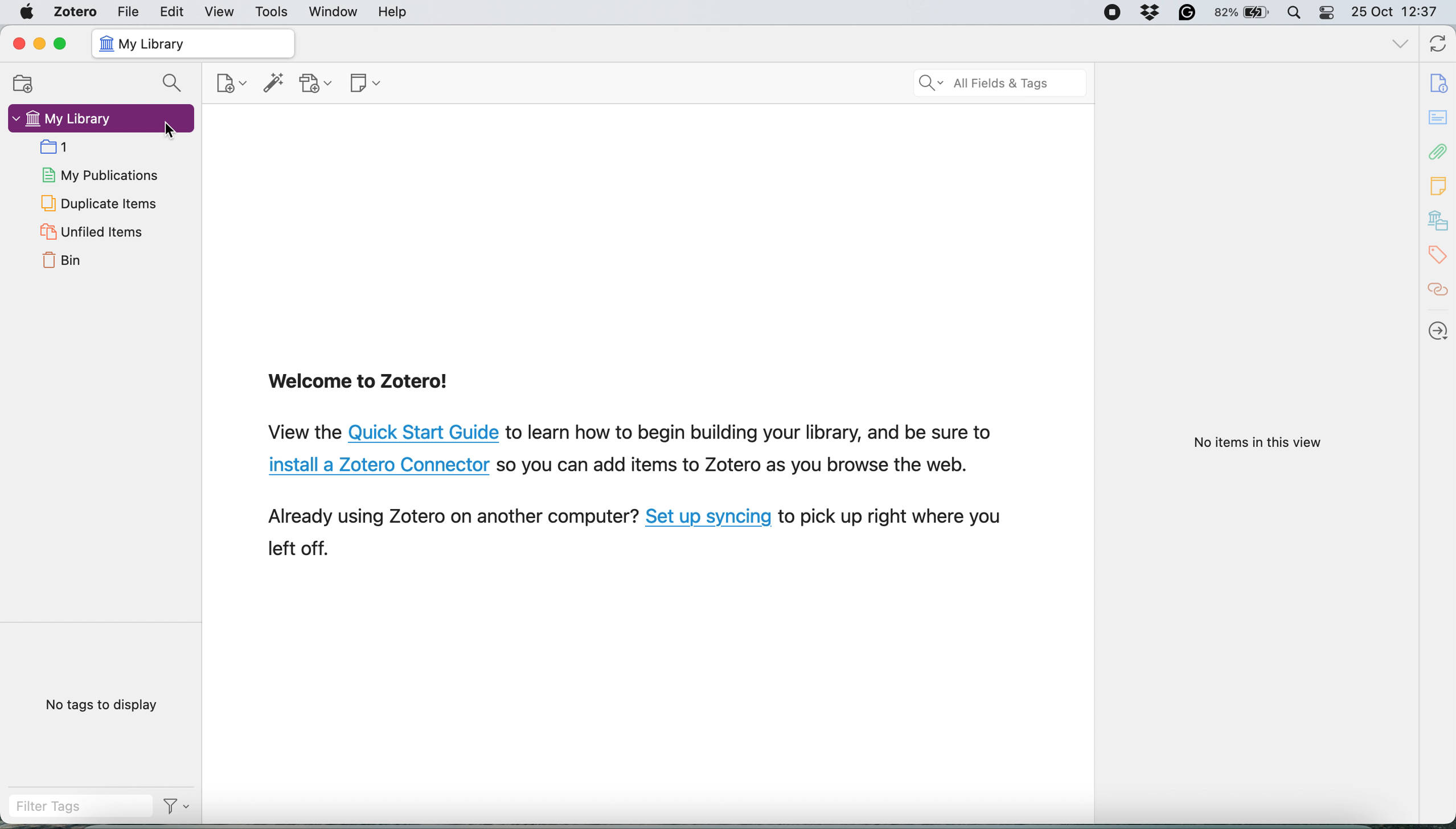 This screenshot has height=829, width=1456. What do you see at coordinates (27, 11) in the screenshot?
I see `system logo` at bounding box center [27, 11].